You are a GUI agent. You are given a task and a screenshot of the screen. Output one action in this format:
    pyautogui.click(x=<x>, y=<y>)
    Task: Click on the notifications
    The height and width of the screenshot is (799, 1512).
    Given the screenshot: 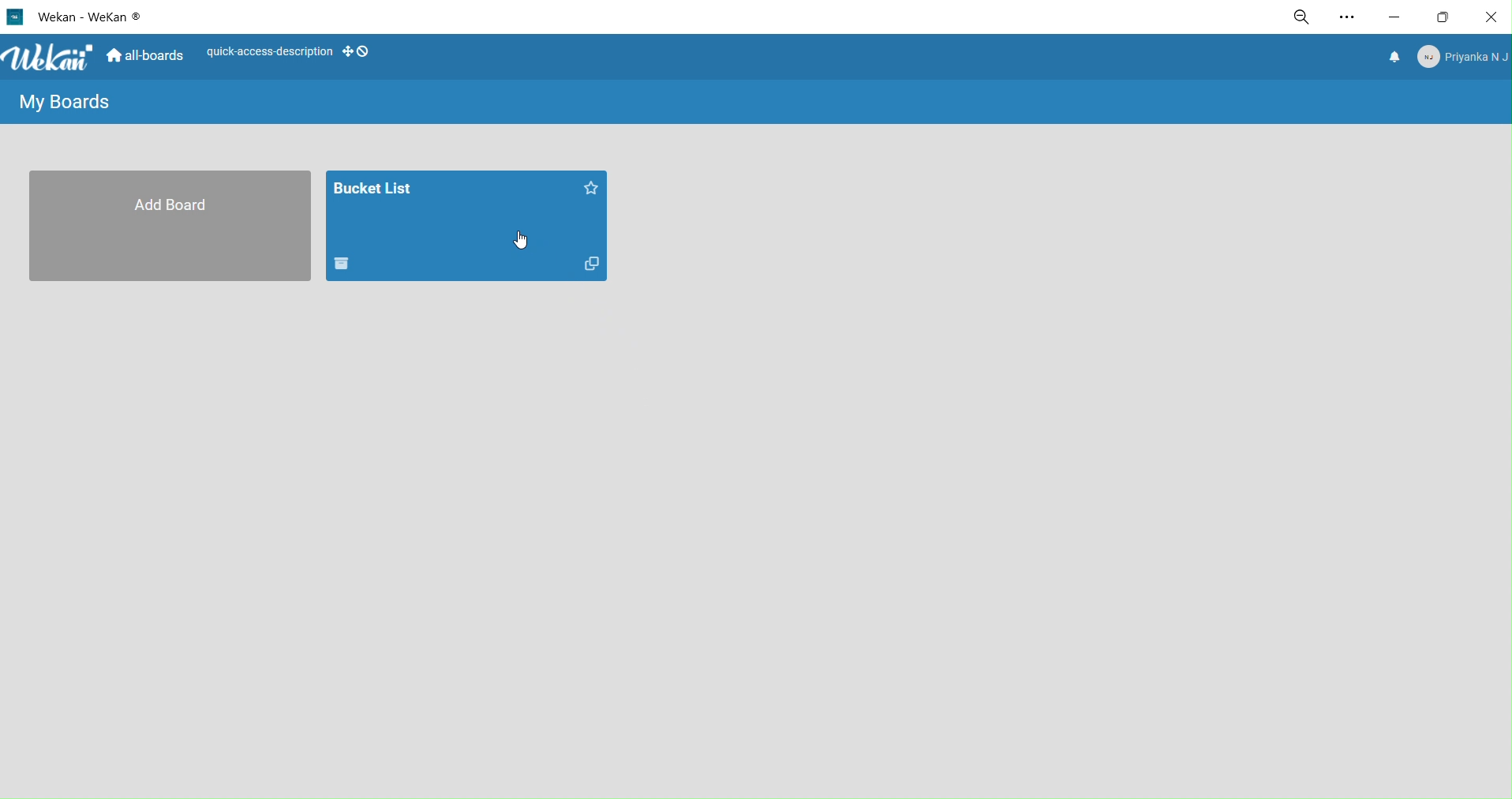 What is the action you would take?
    pyautogui.click(x=1391, y=58)
    